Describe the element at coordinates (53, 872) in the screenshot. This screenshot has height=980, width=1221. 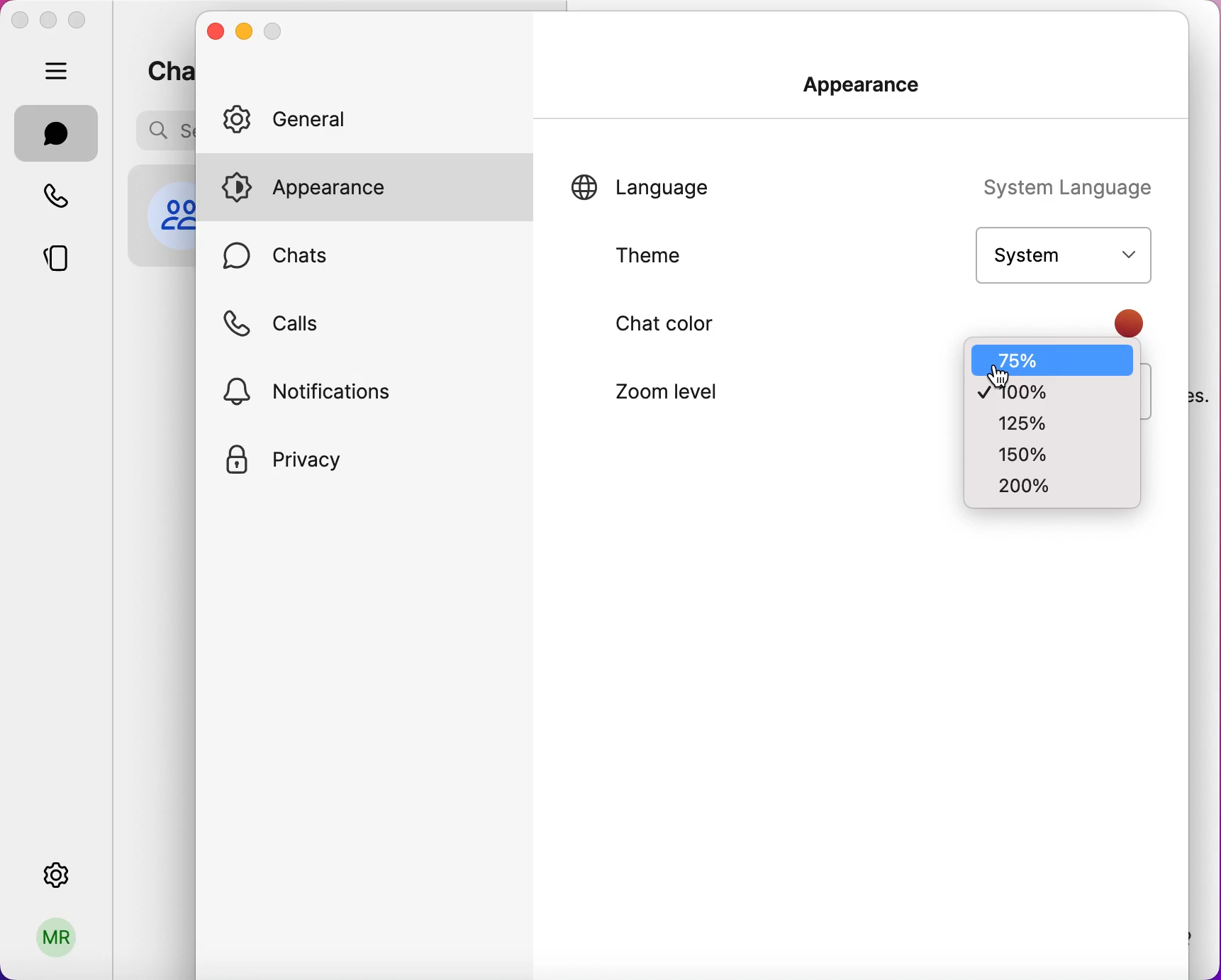
I see `settings` at that location.